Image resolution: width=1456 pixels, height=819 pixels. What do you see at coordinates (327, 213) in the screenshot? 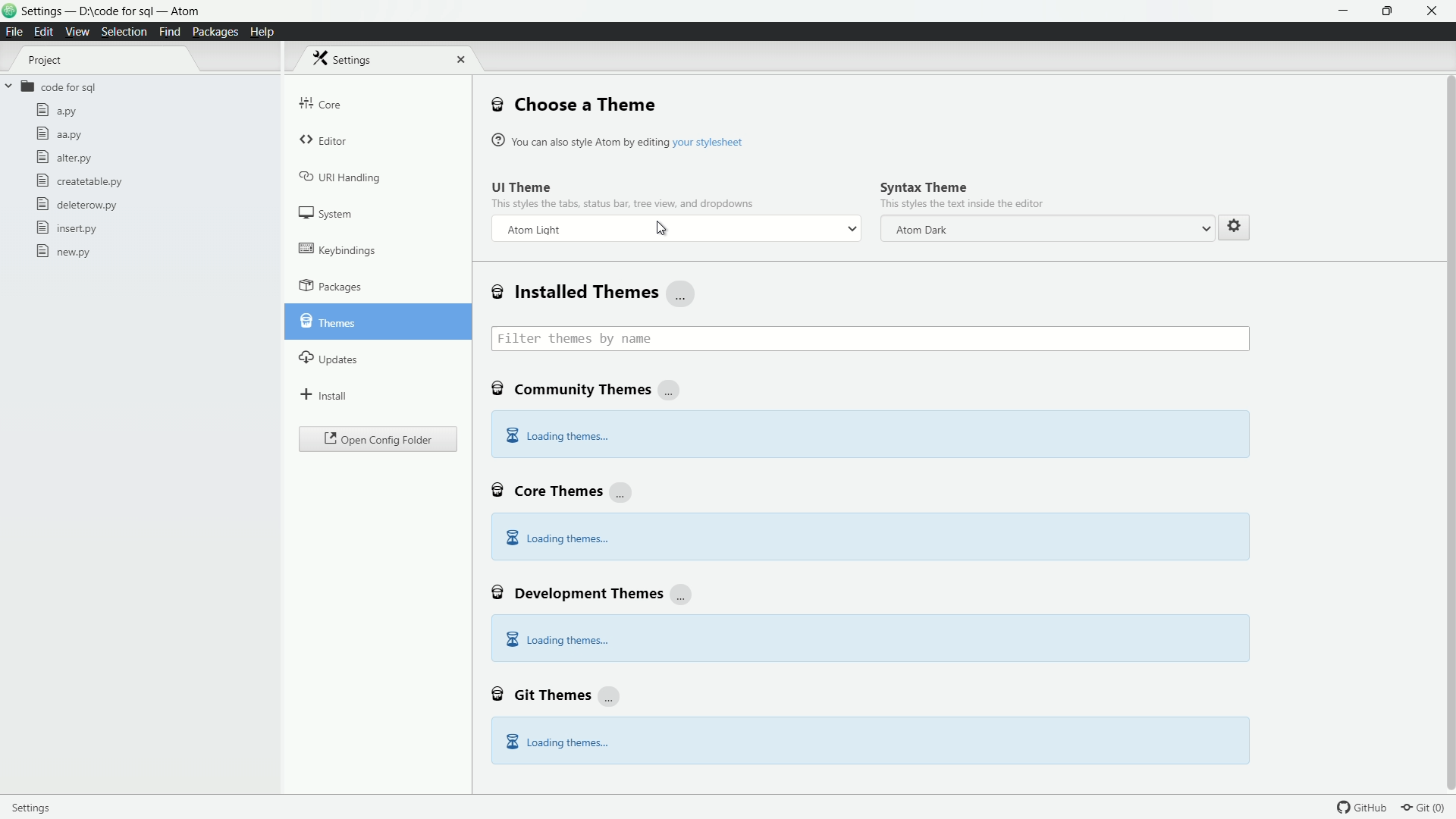
I see `system` at bounding box center [327, 213].